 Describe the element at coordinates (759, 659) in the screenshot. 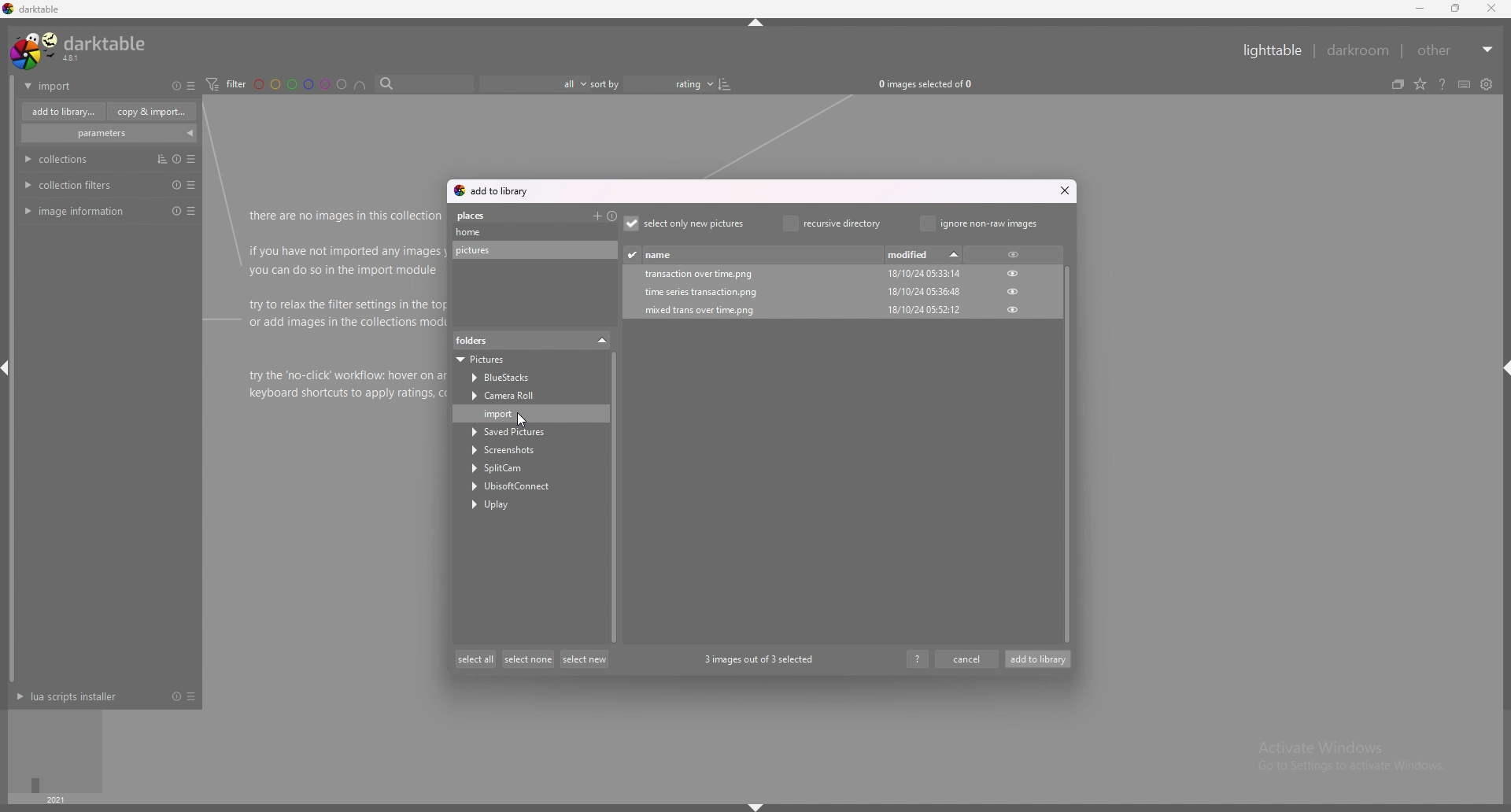

I see `3 images out of 3 selected` at that location.